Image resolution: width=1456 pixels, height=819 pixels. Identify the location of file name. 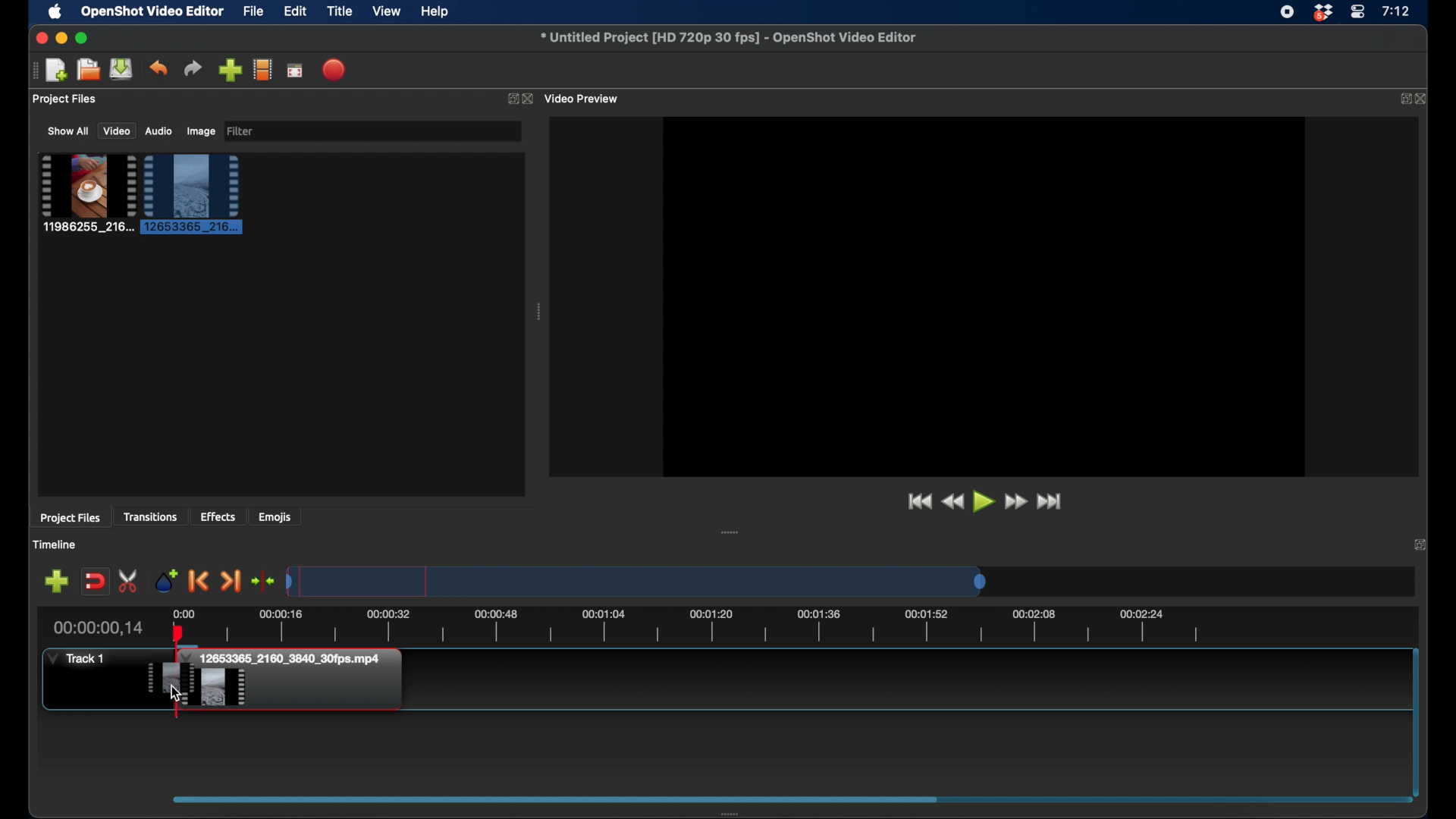
(729, 37).